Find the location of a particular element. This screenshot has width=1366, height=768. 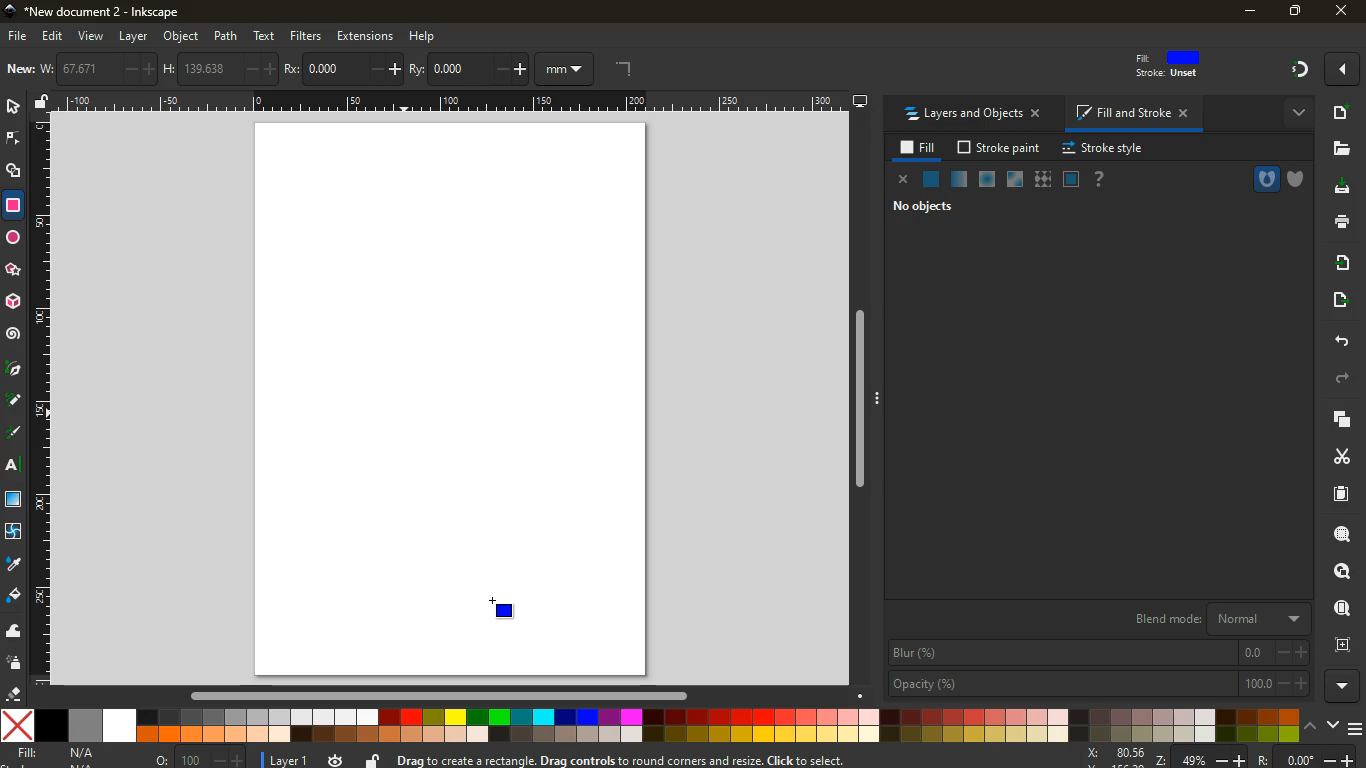

layer 1 is located at coordinates (288, 761).